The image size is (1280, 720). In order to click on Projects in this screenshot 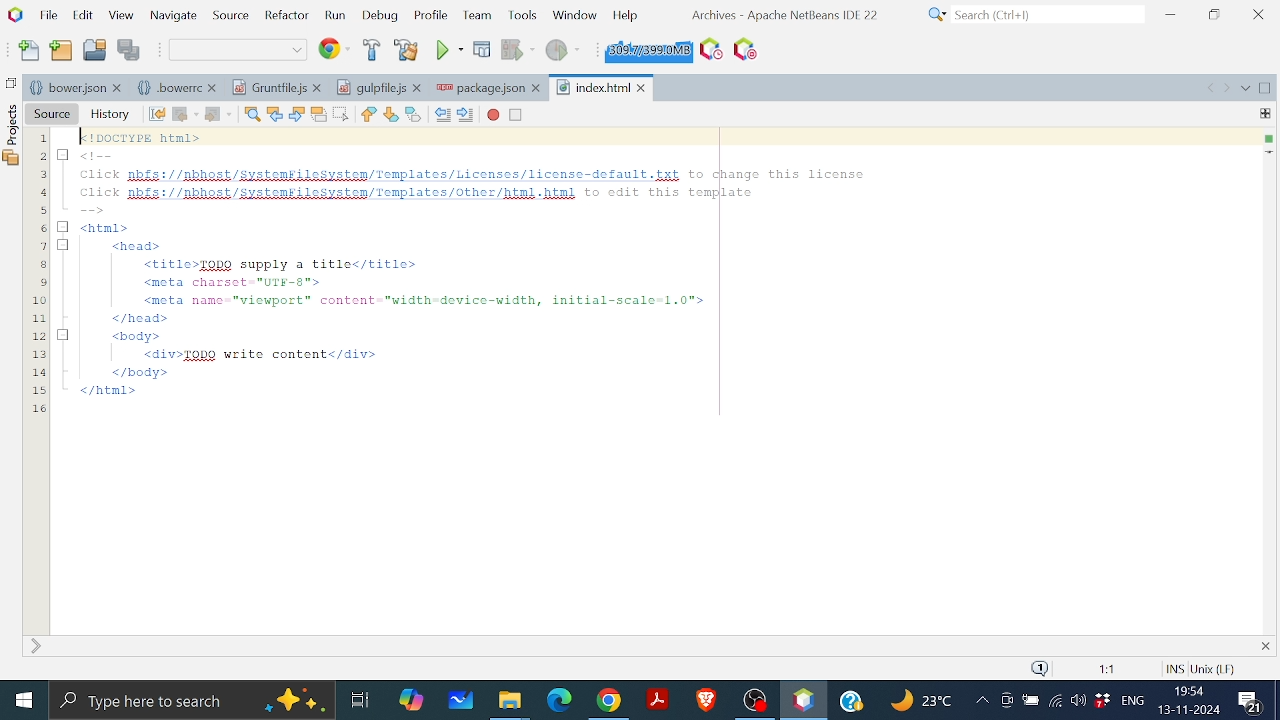, I will do `click(11, 131)`.